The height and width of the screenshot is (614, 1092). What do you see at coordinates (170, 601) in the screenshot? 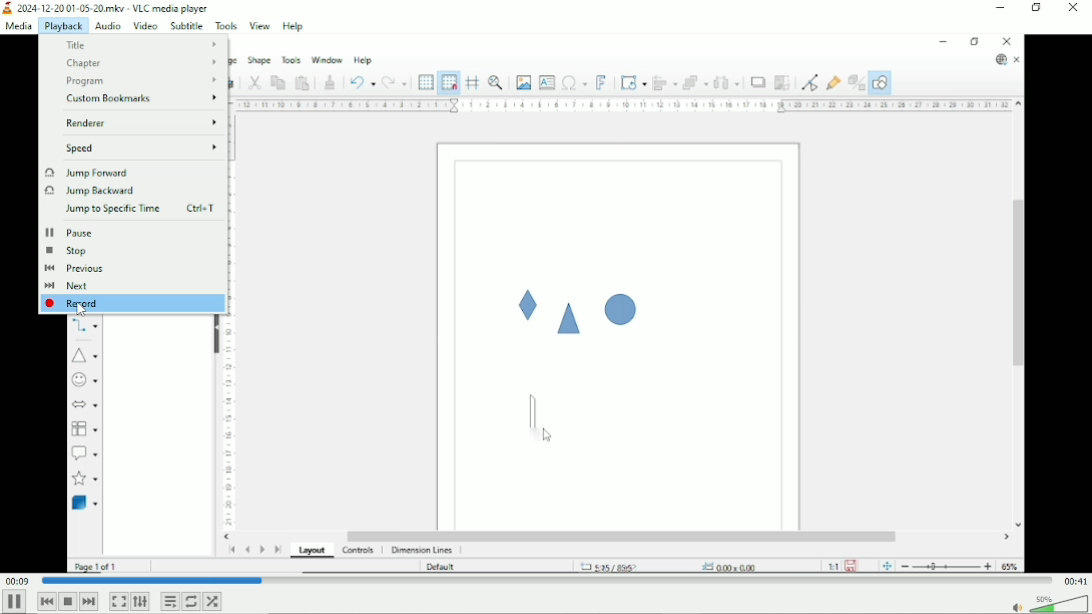
I see `Toggle playlist` at bounding box center [170, 601].